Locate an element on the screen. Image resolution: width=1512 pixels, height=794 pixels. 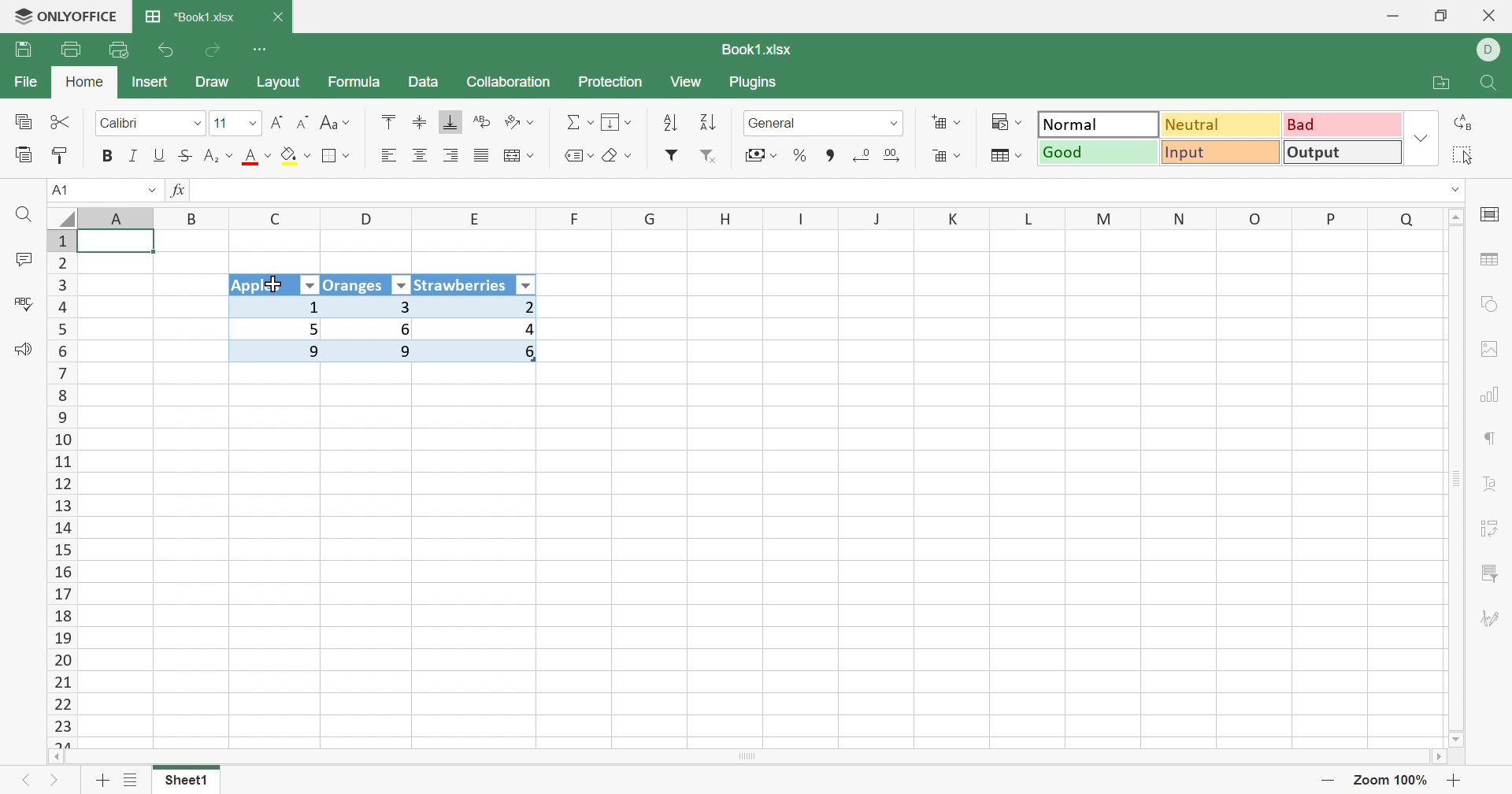
Strikethrough is located at coordinates (188, 155).